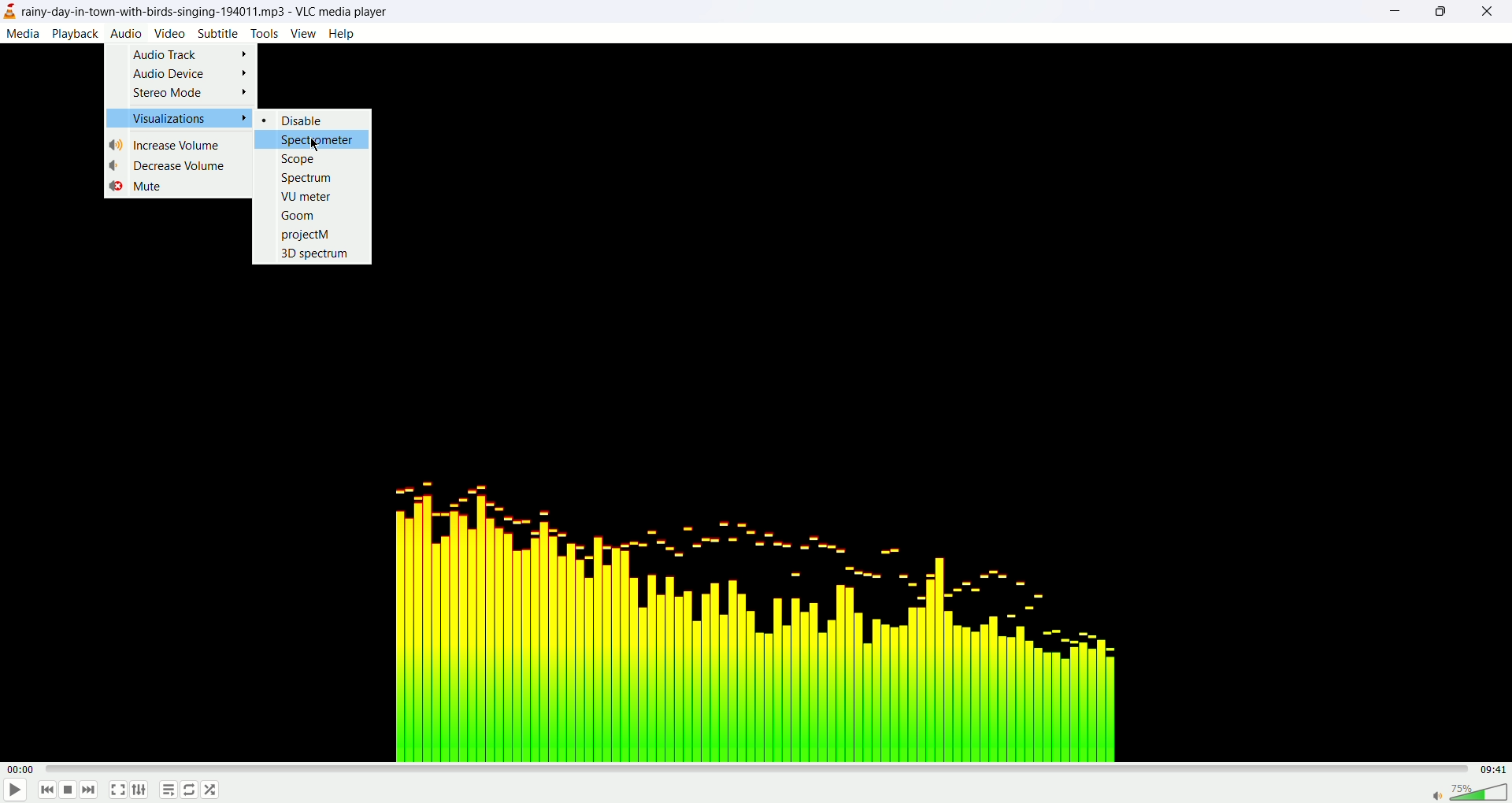 The image size is (1512, 803). I want to click on audio, so click(128, 34).